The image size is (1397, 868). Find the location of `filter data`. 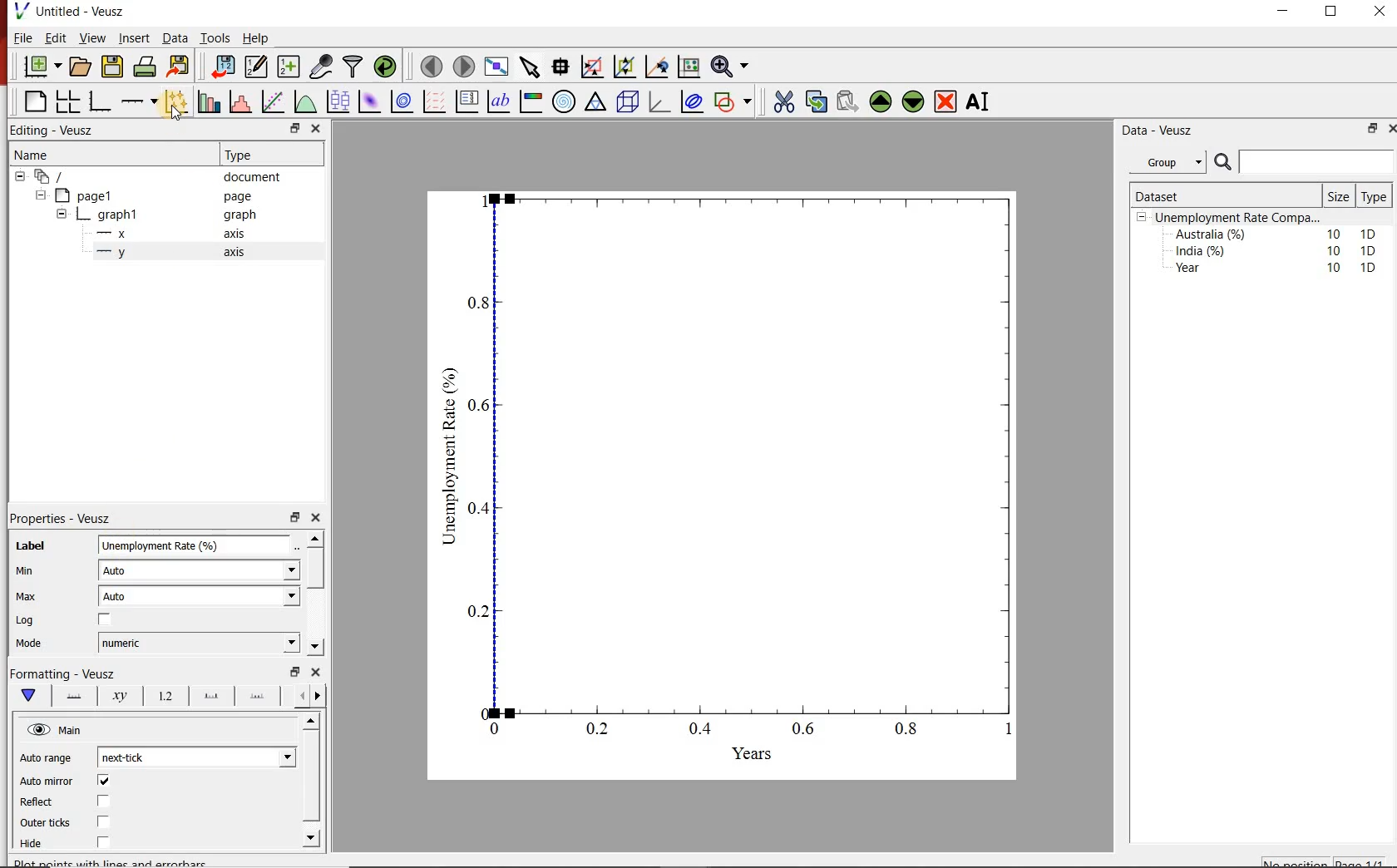

filter data is located at coordinates (352, 67).